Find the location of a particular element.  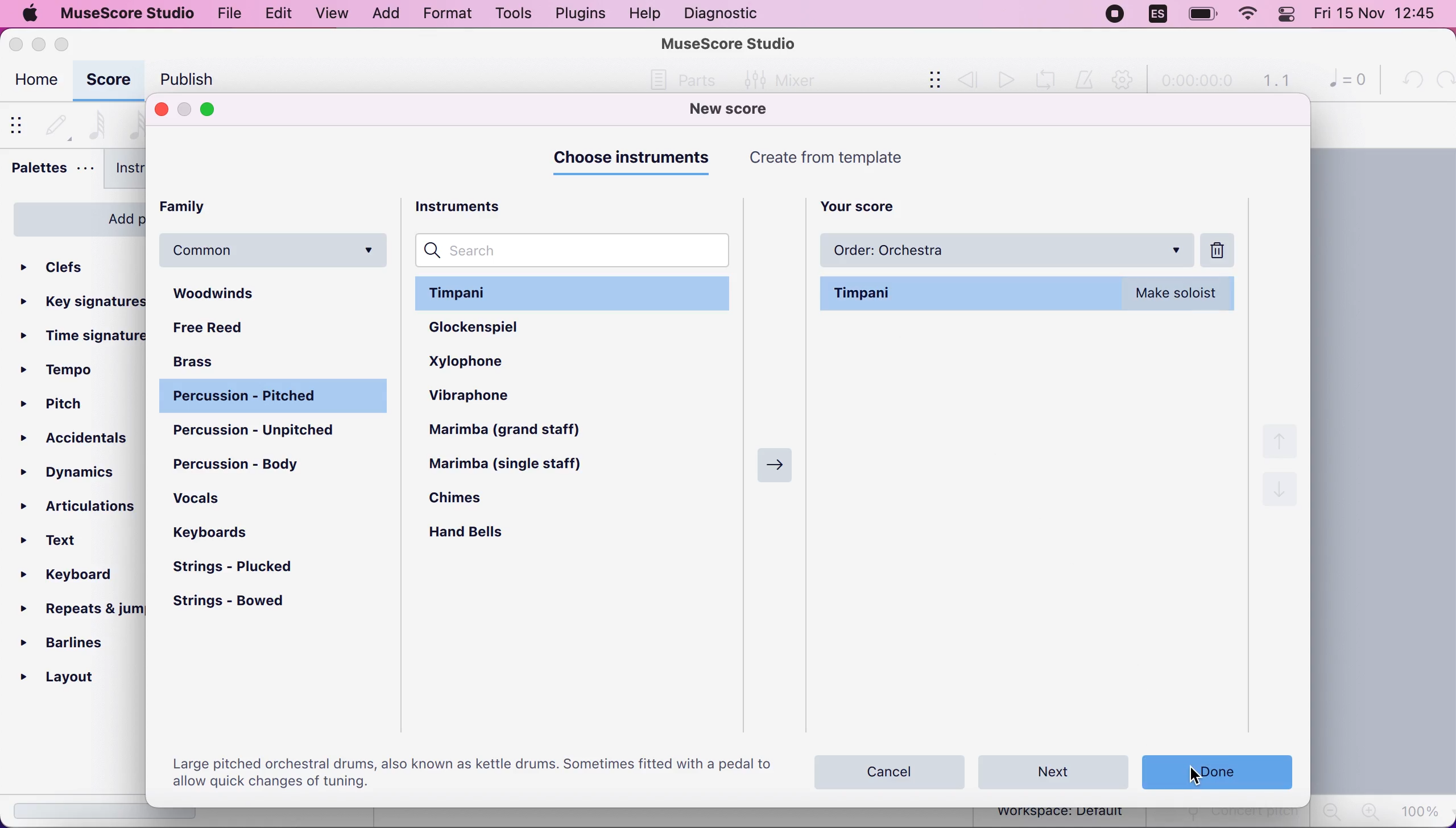

default is located at coordinates (56, 122).